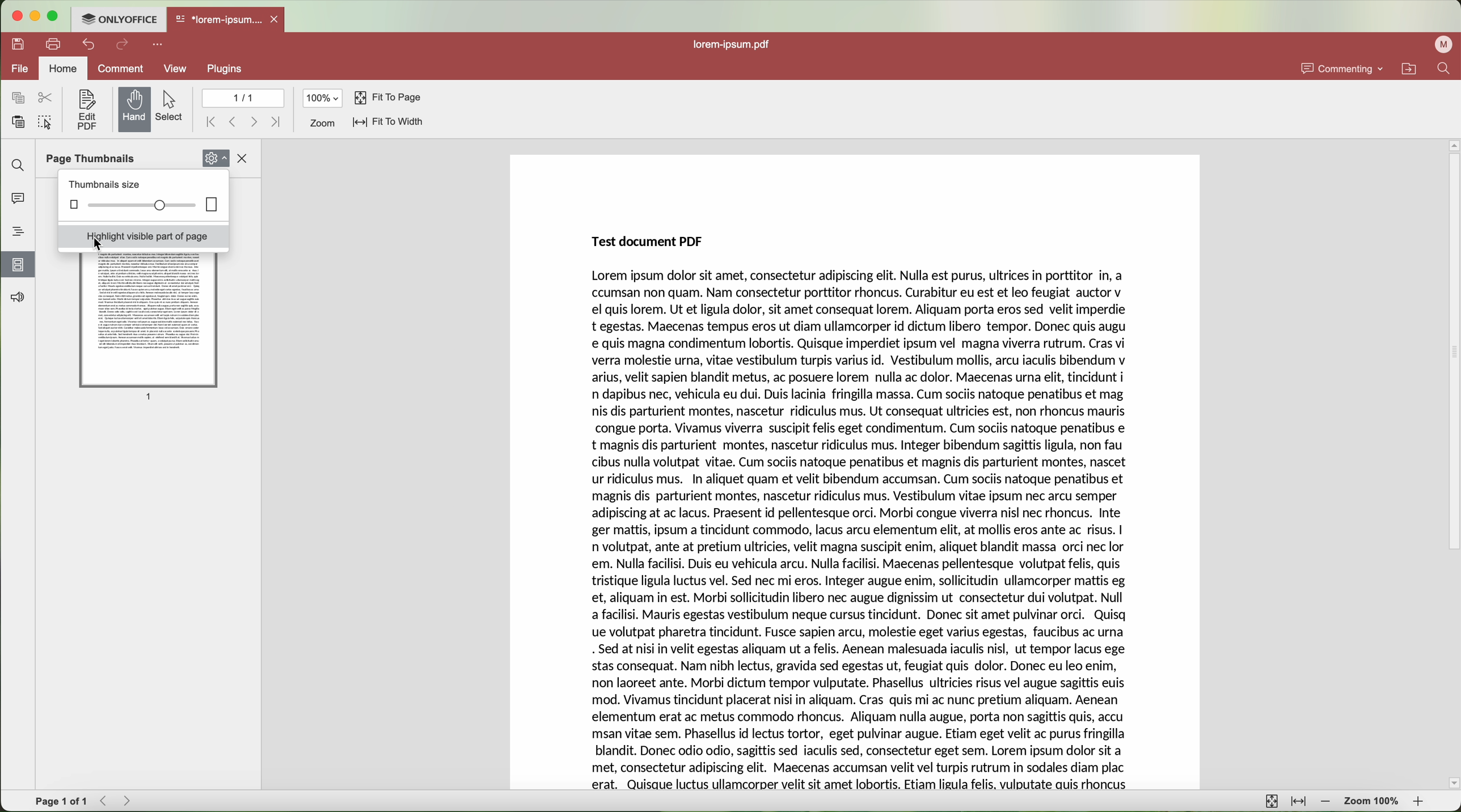  Describe the element at coordinates (1326, 803) in the screenshot. I see `zoom out` at that location.